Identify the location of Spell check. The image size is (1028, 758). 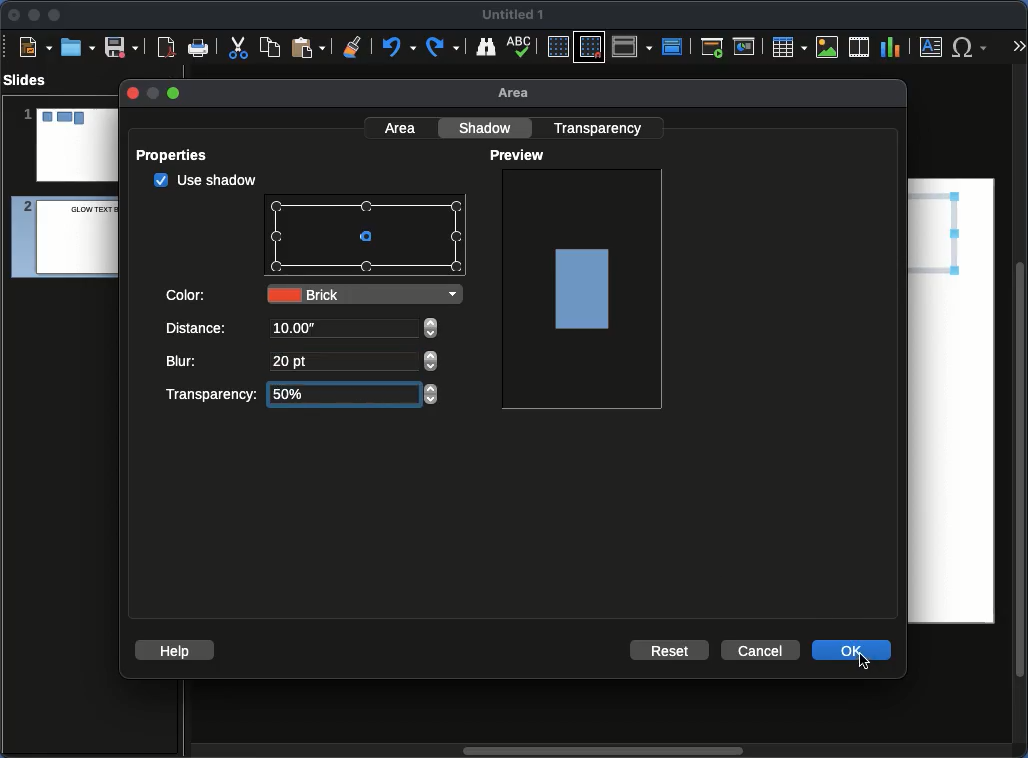
(521, 48).